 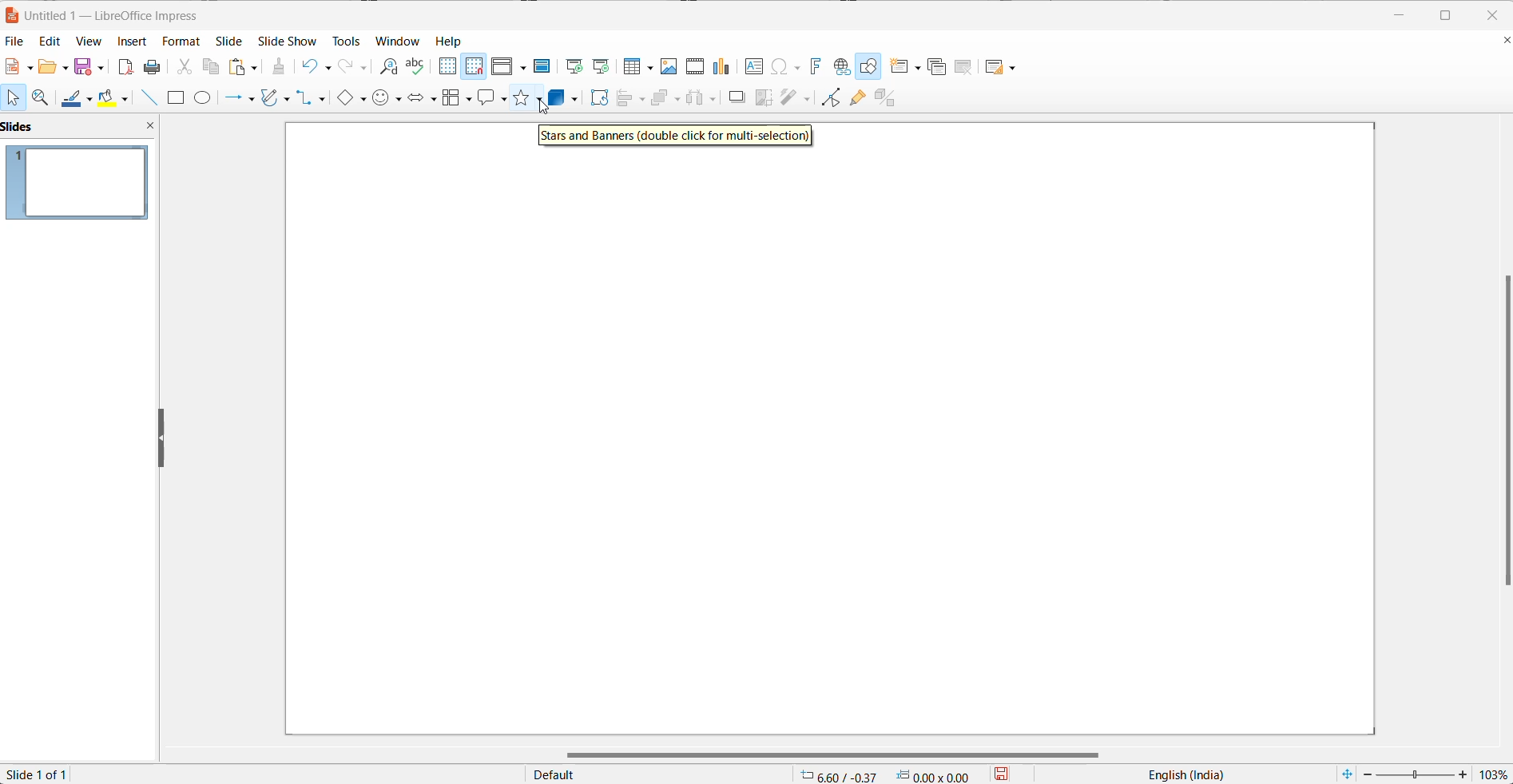 What do you see at coordinates (280, 66) in the screenshot?
I see `clone formatting` at bounding box center [280, 66].